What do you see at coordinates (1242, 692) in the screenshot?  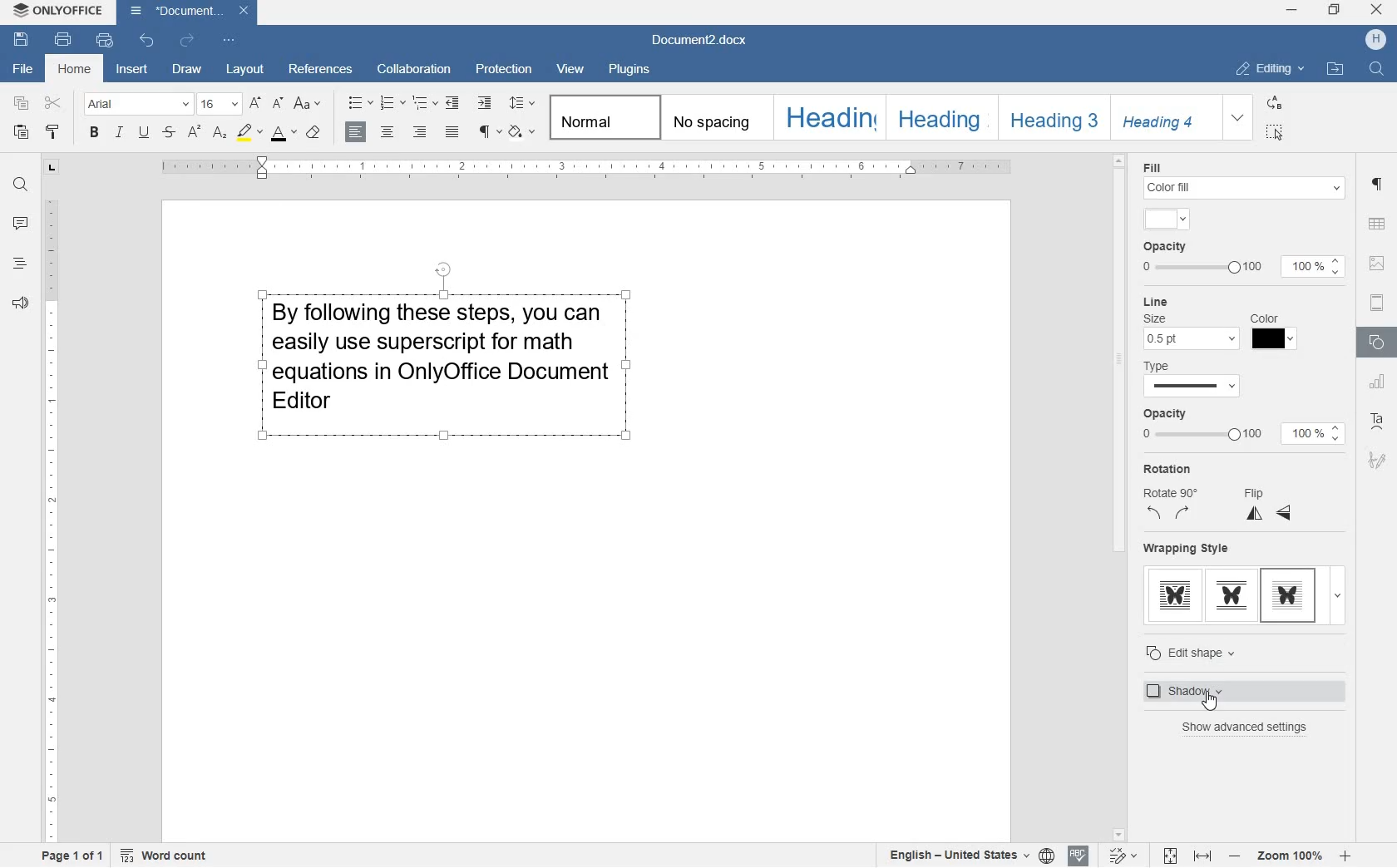 I see `shadow` at bounding box center [1242, 692].